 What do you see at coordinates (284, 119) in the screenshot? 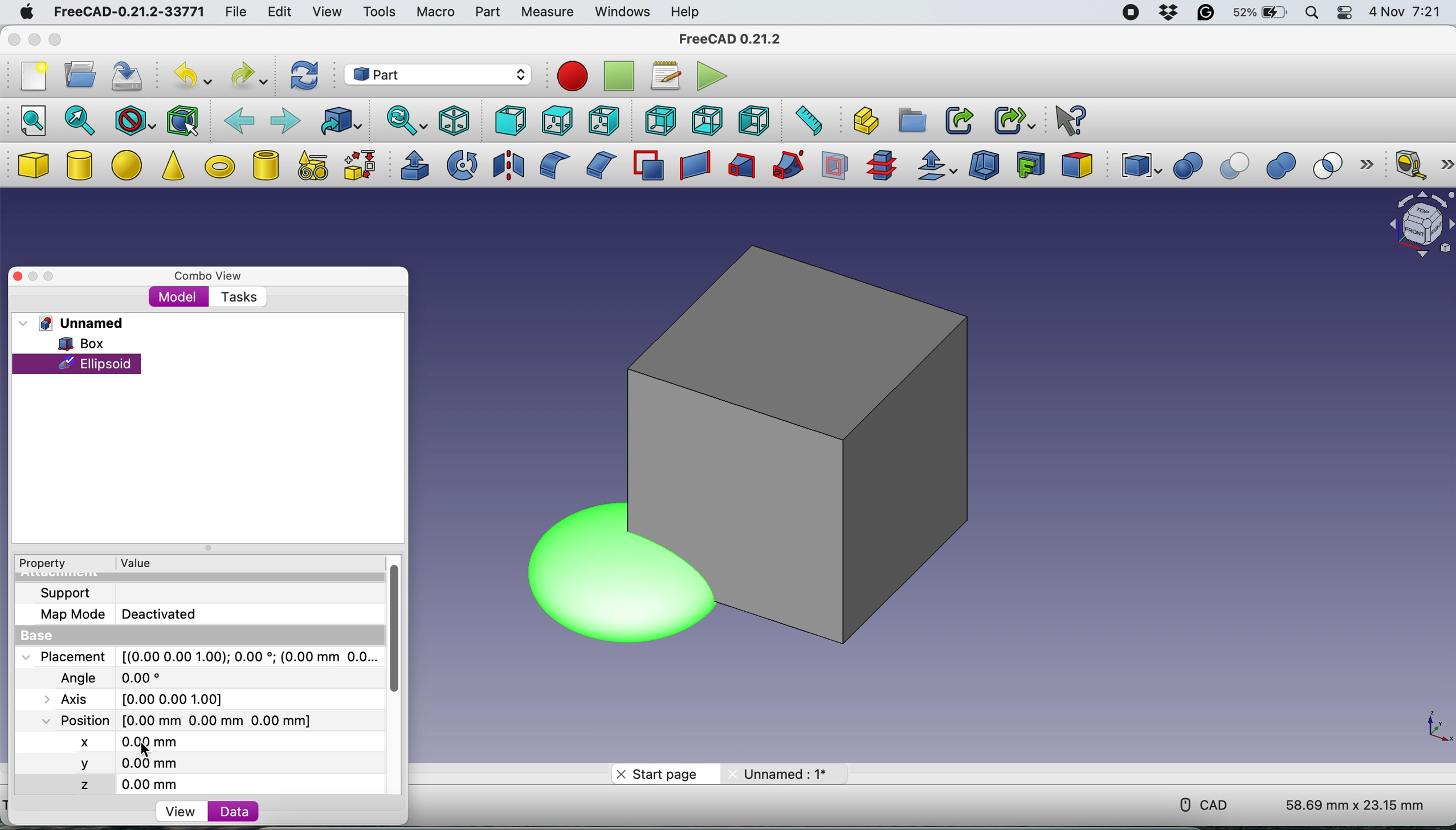
I see `forward` at bounding box center [284, 119].